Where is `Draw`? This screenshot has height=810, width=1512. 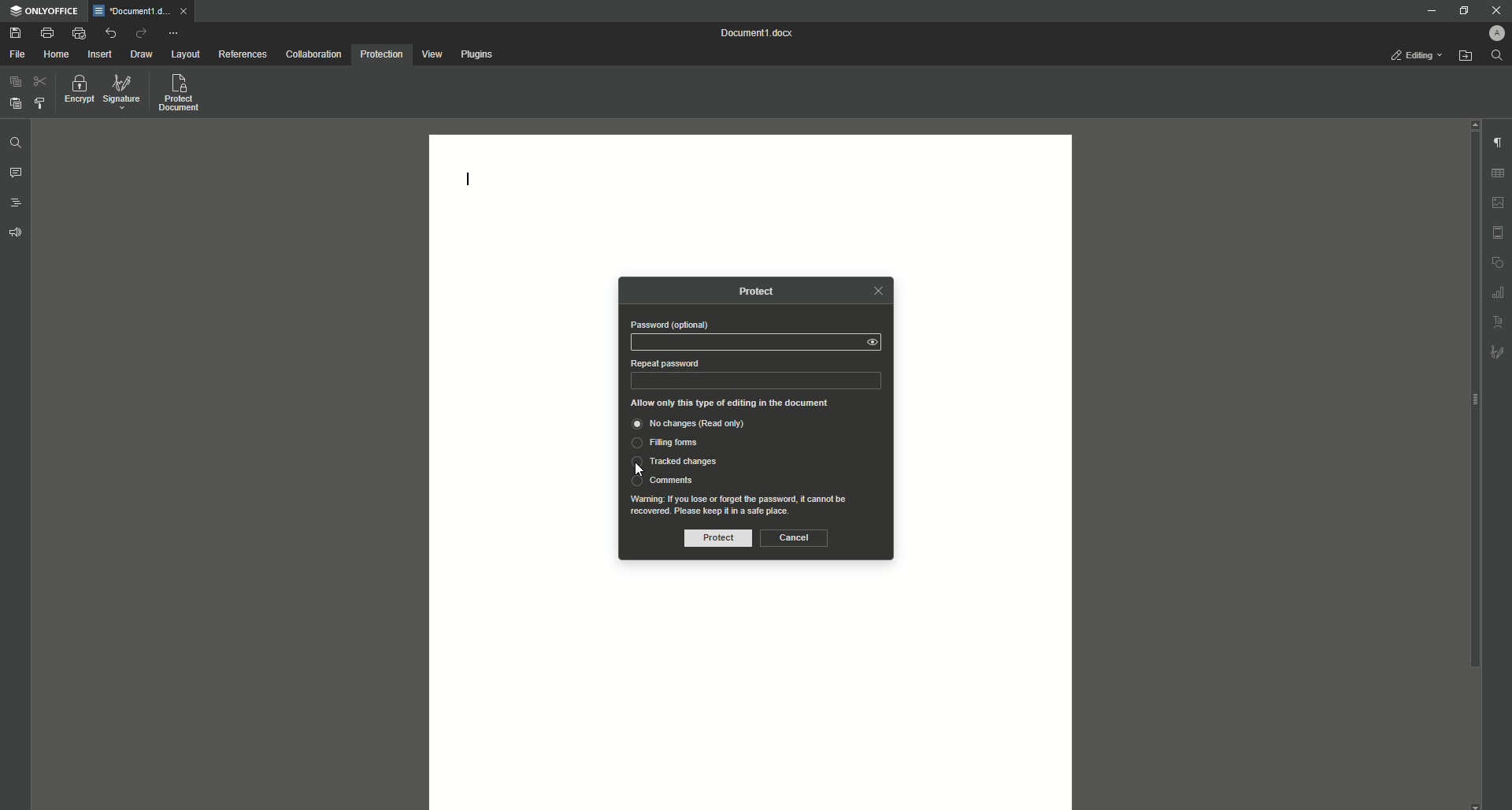 Draw is located at coordinates (143, 54).